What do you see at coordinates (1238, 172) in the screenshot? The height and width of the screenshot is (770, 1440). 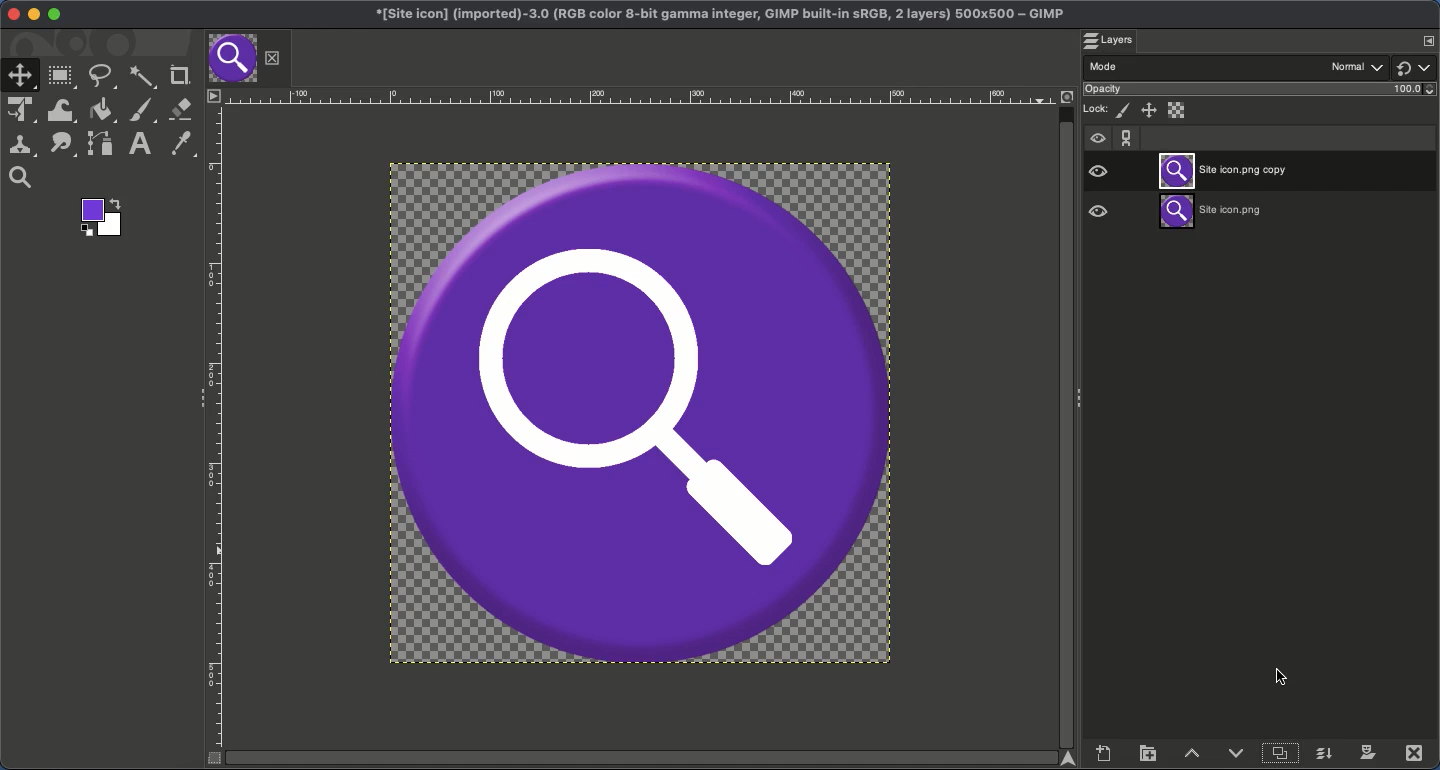 I see `Duplicate layer added` at bounding box center [1238, 172].